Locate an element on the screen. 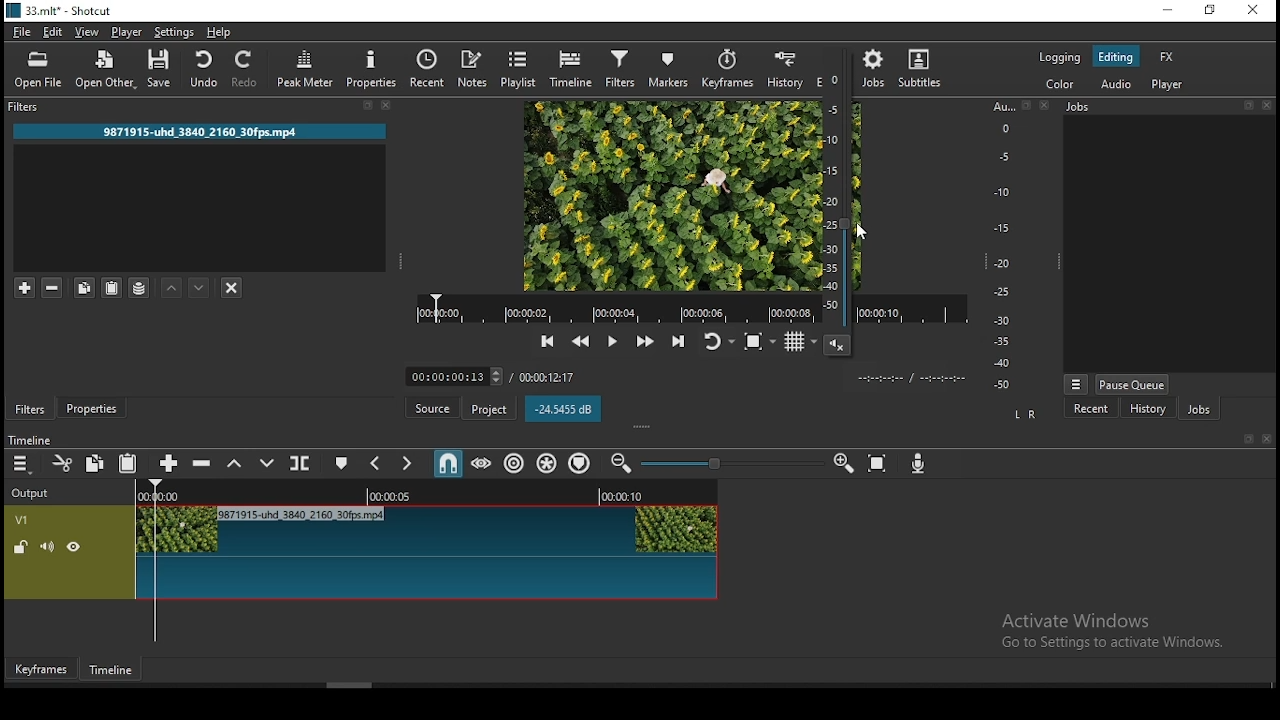  restore is located at coordinates (1211, 10).